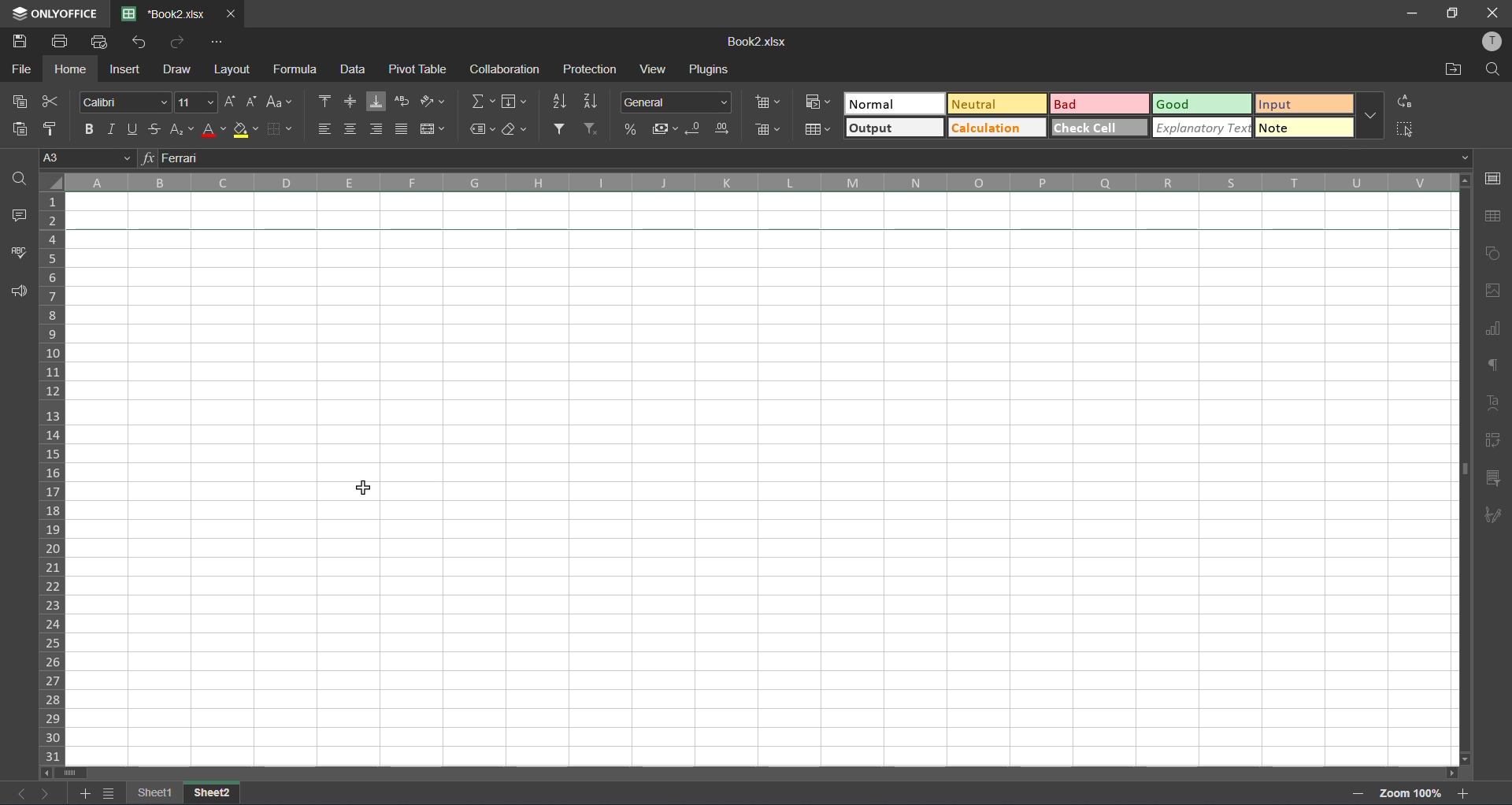 This screenshot has width=1512, height=805. Describe the element at coordinates (769, 130) in the screenshot. I see `delete cells` at that location.